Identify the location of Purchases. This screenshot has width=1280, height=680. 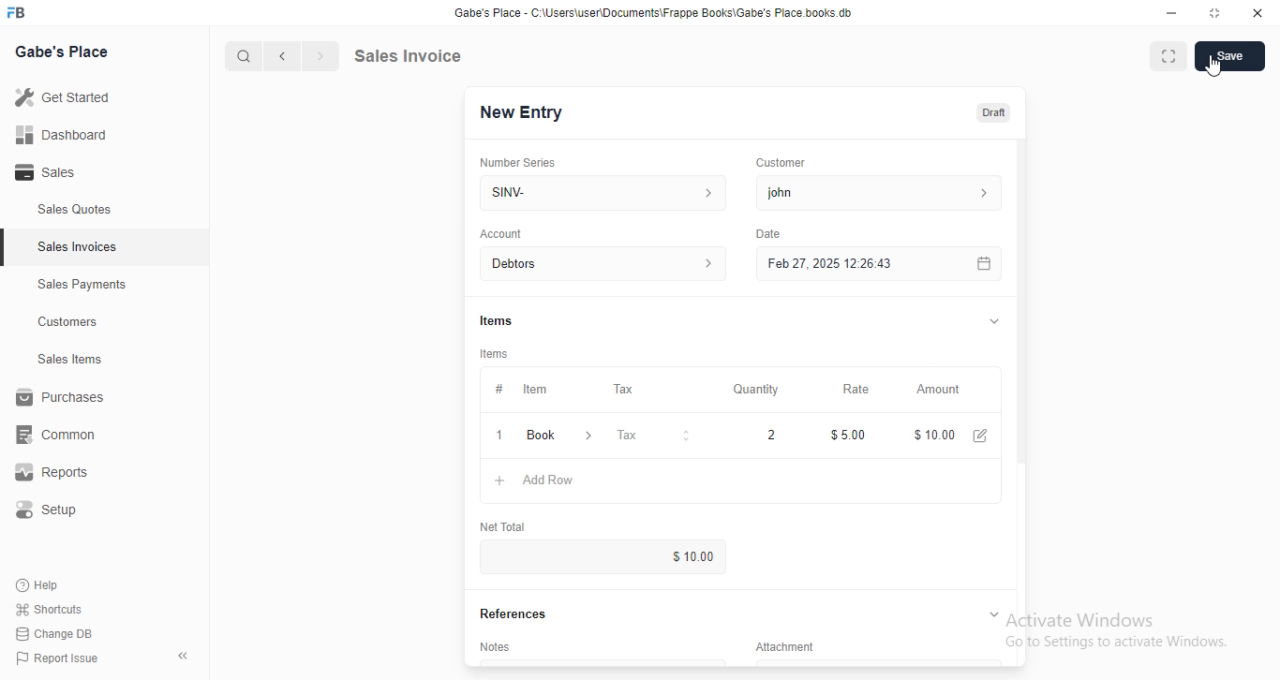
(59, 397).